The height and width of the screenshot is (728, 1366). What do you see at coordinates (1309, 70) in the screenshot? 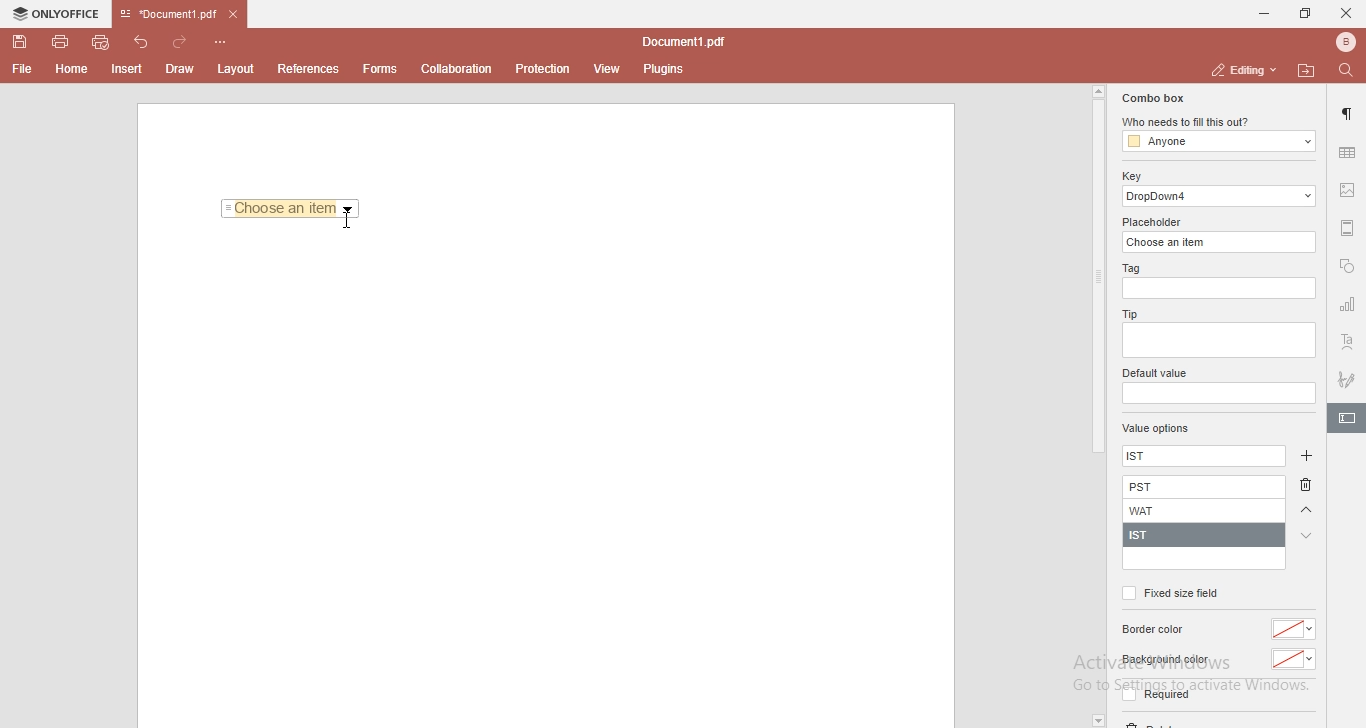
I see `open file location` at bounding box center [1309, 70].